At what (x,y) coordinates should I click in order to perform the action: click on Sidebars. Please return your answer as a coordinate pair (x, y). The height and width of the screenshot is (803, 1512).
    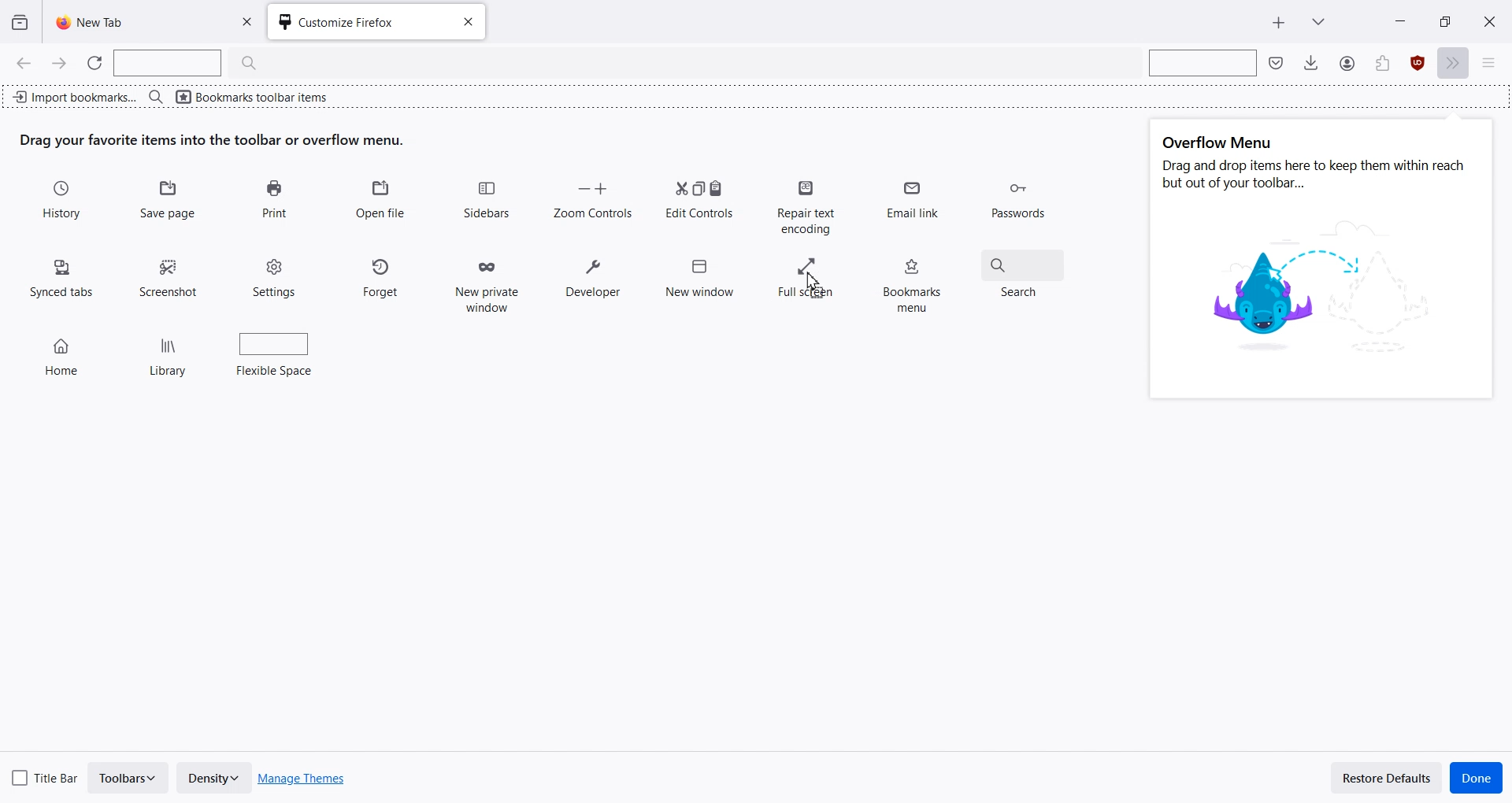
    Looking at the image, I should click on (488, 200).